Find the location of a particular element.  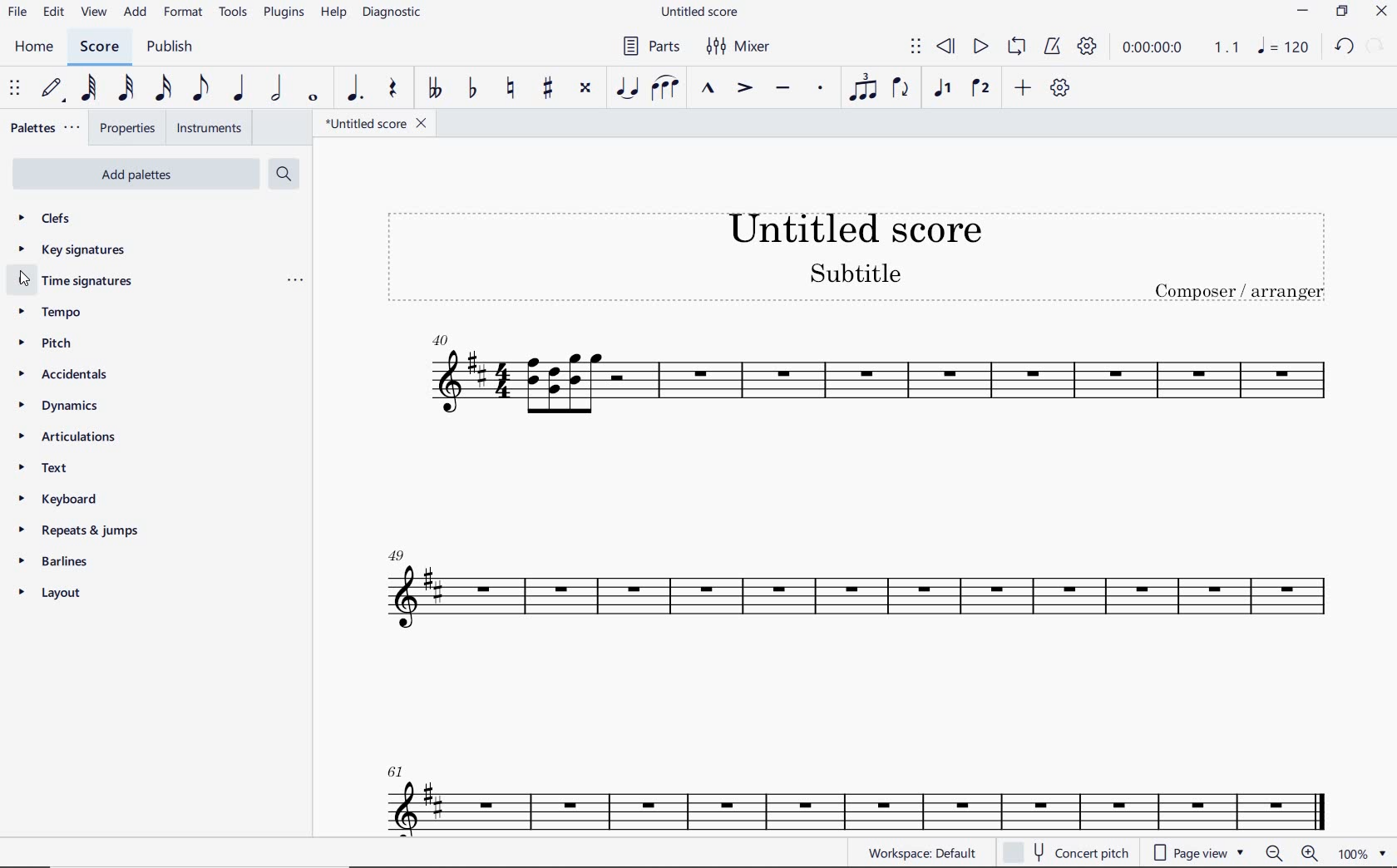

PLAY is located at coordinates (980, 45).